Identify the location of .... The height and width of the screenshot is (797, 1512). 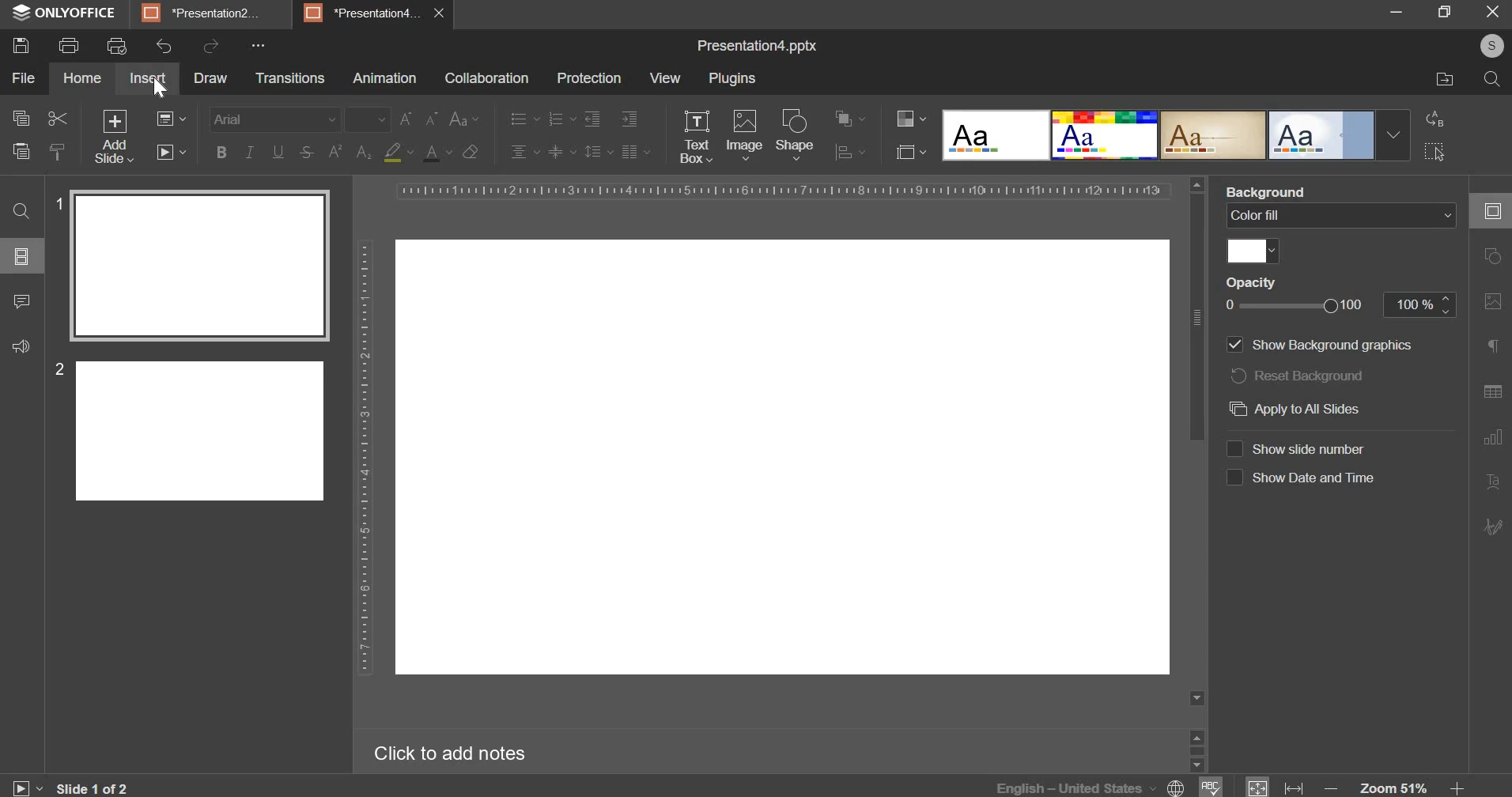
(259, 43).